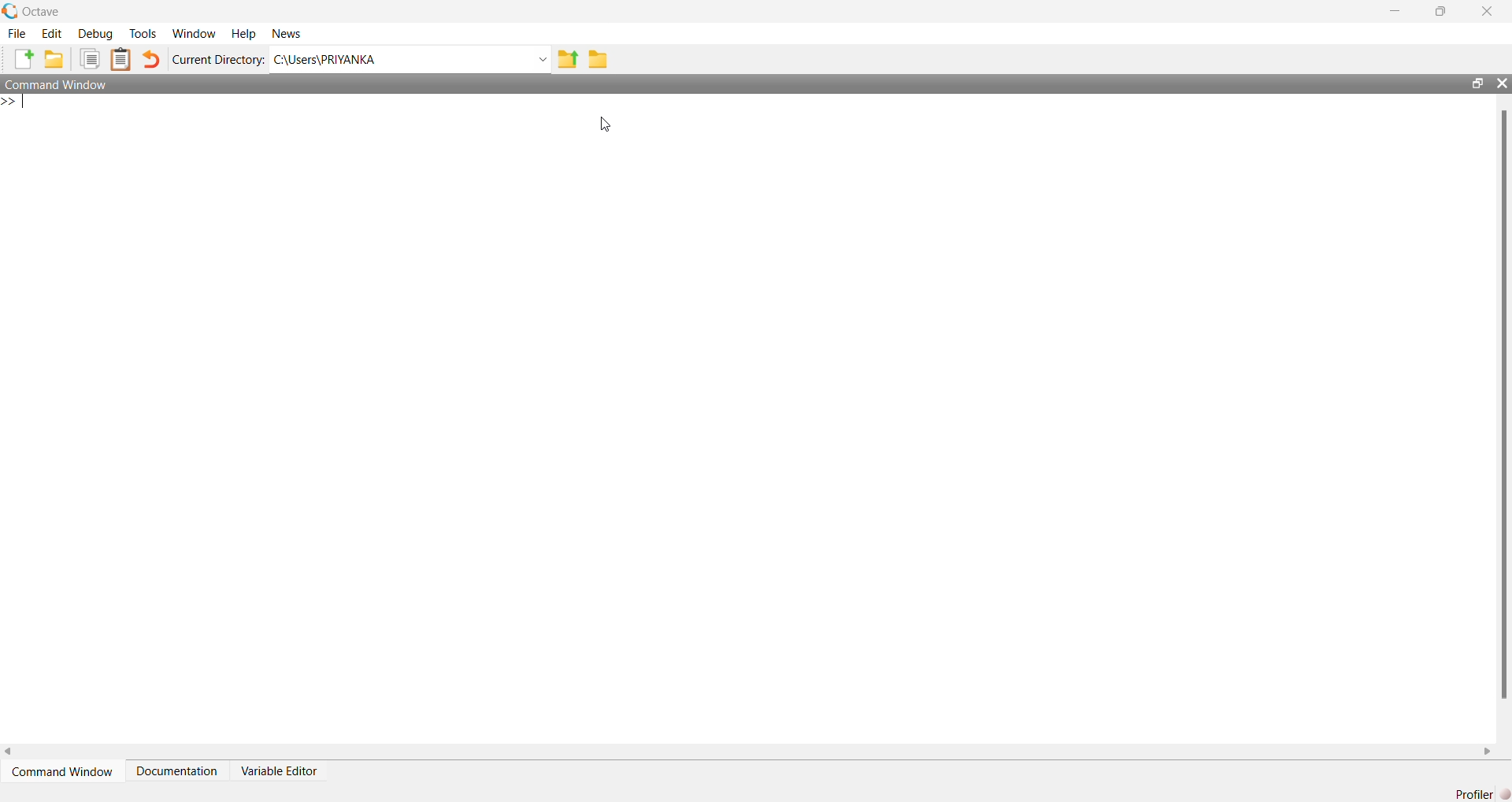 This screenshot has height=802, width=1512. Describe the element at coordinates (245, 34) in the screenshot. I see `Help` at that location.